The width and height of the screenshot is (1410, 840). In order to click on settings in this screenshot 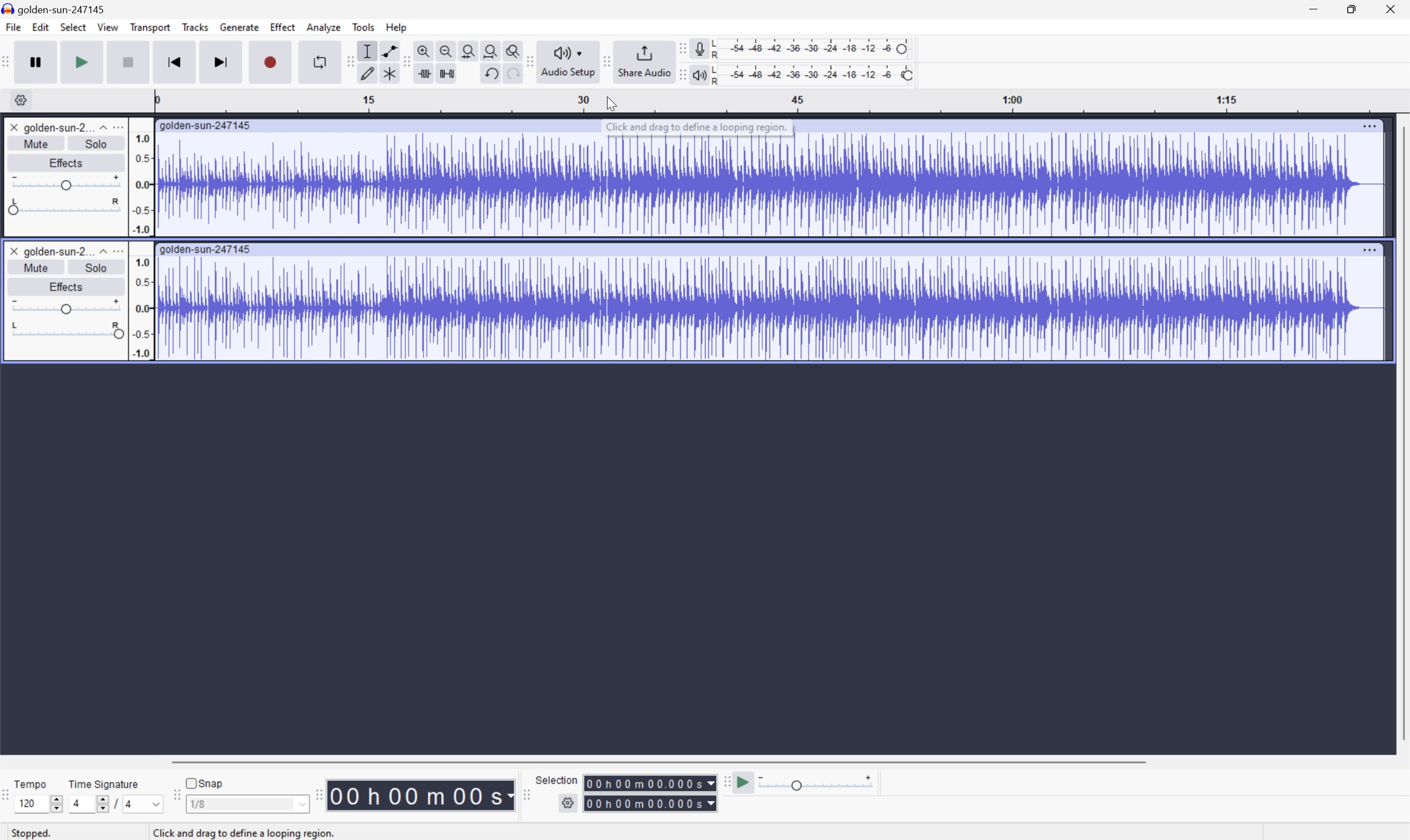, I will do `click(569, 803)`.